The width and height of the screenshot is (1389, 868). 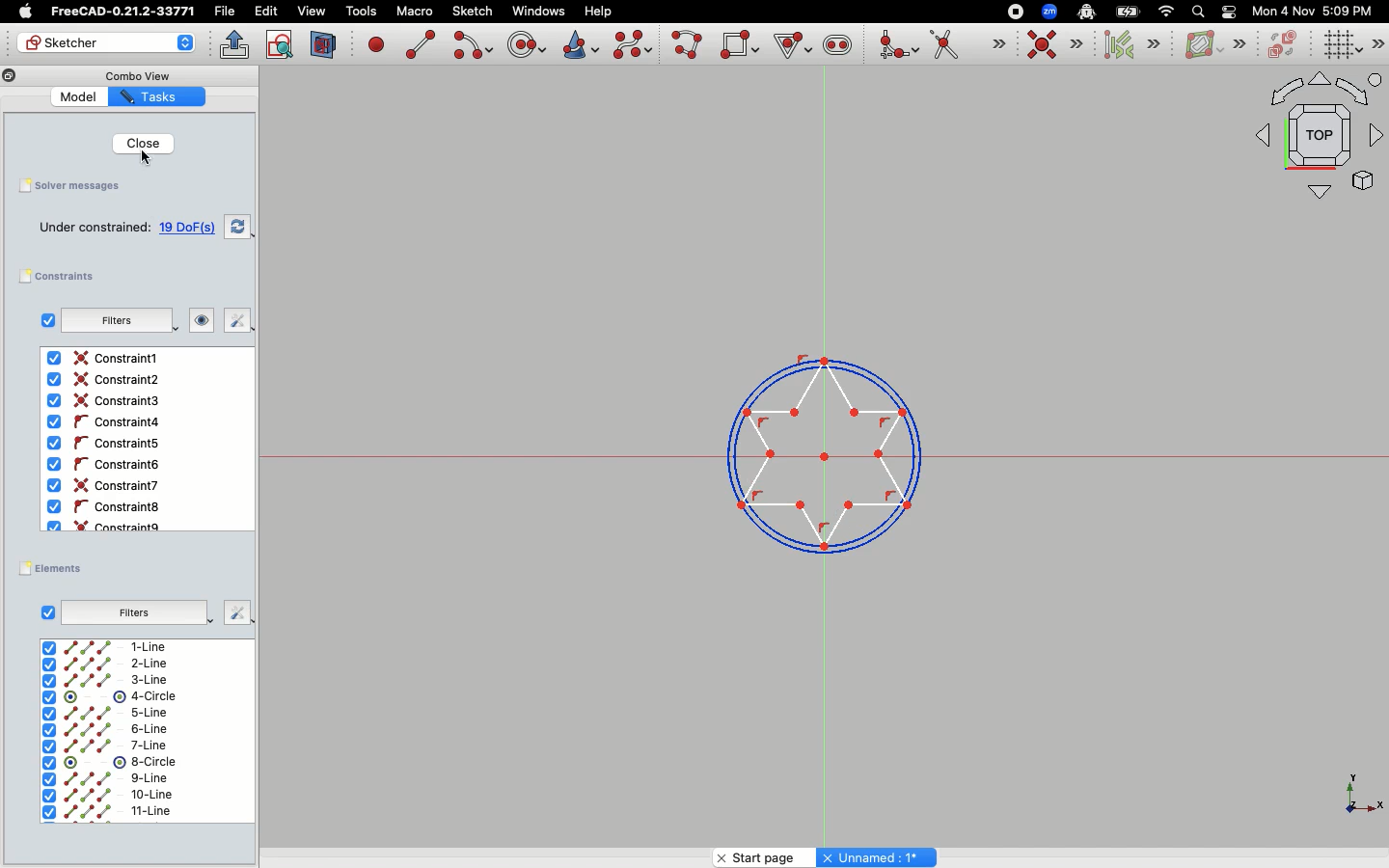 What do you see at coordinates (114, 647) in the screenshot?
I see `1-Line` at bounding box center [114, 647].